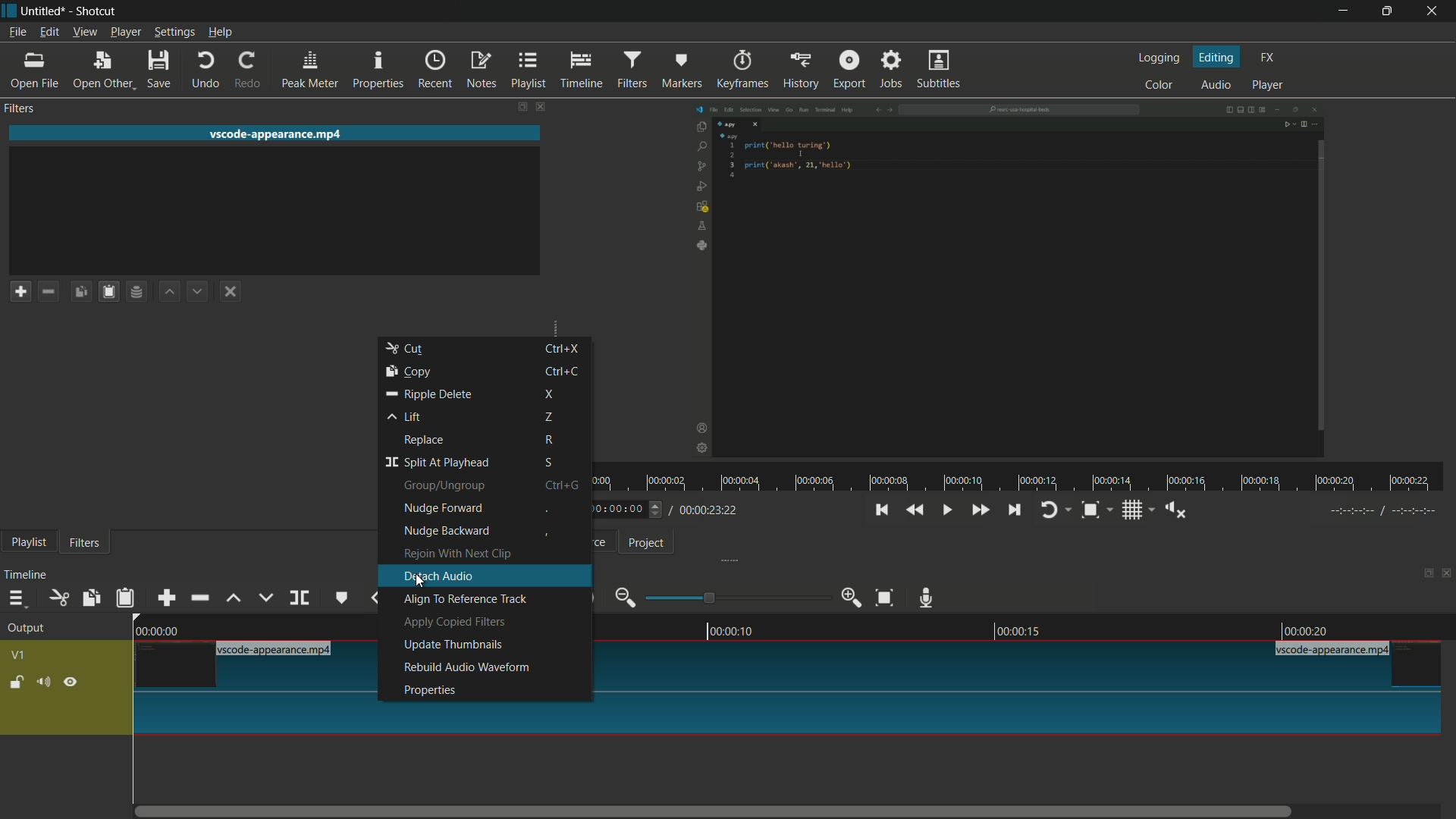 The image size is (1456, 819). Describe the element at coordinates (436, 463) in the screenshot. I see `split at playhead` at that location.